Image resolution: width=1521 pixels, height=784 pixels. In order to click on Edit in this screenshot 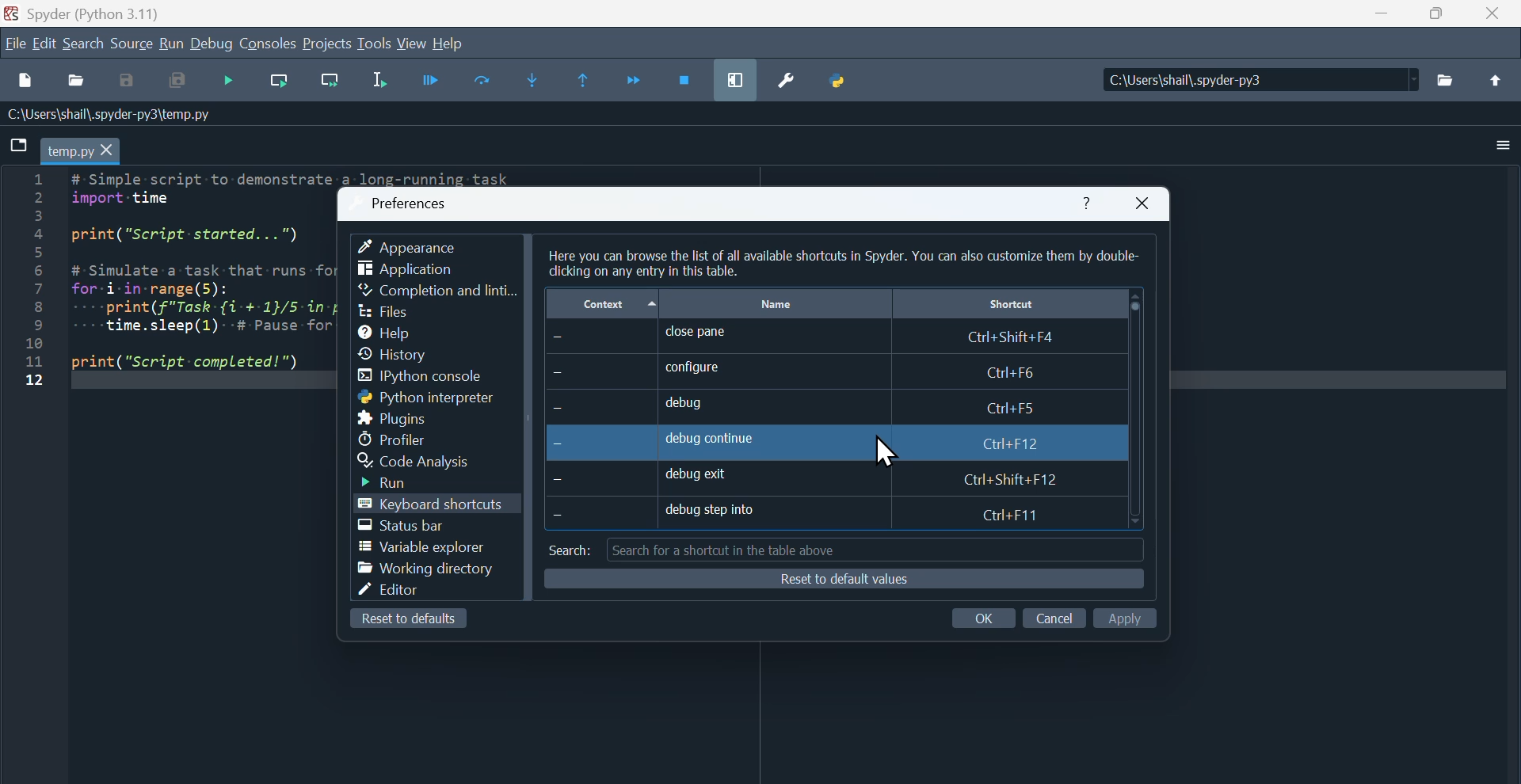, I will do `click(44, 45)`.